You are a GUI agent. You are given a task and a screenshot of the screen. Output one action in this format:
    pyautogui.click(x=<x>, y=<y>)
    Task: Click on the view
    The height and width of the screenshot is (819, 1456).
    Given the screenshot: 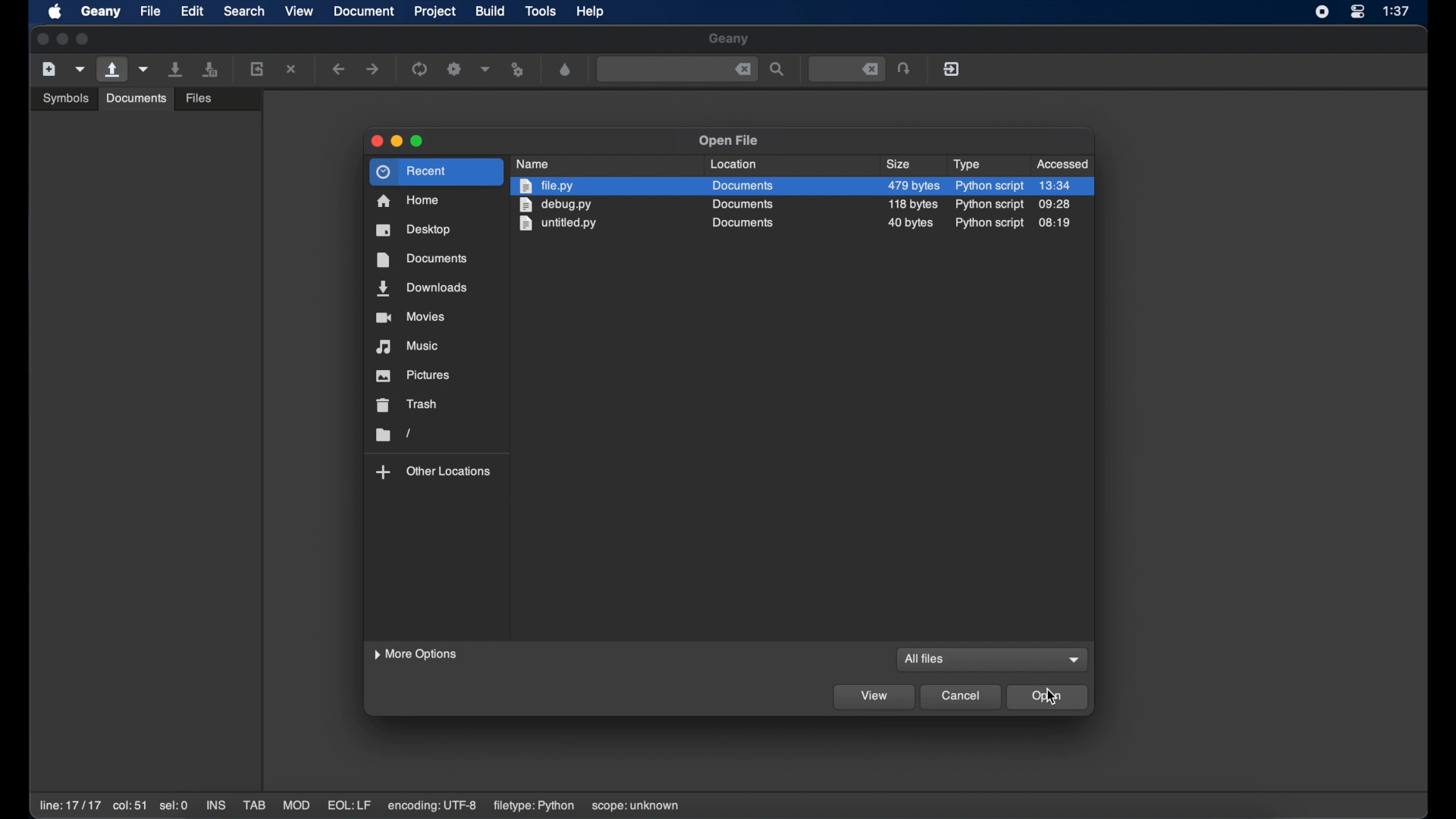 What is the action you would take?
    pyautogui.click(x=874, y=698)
    